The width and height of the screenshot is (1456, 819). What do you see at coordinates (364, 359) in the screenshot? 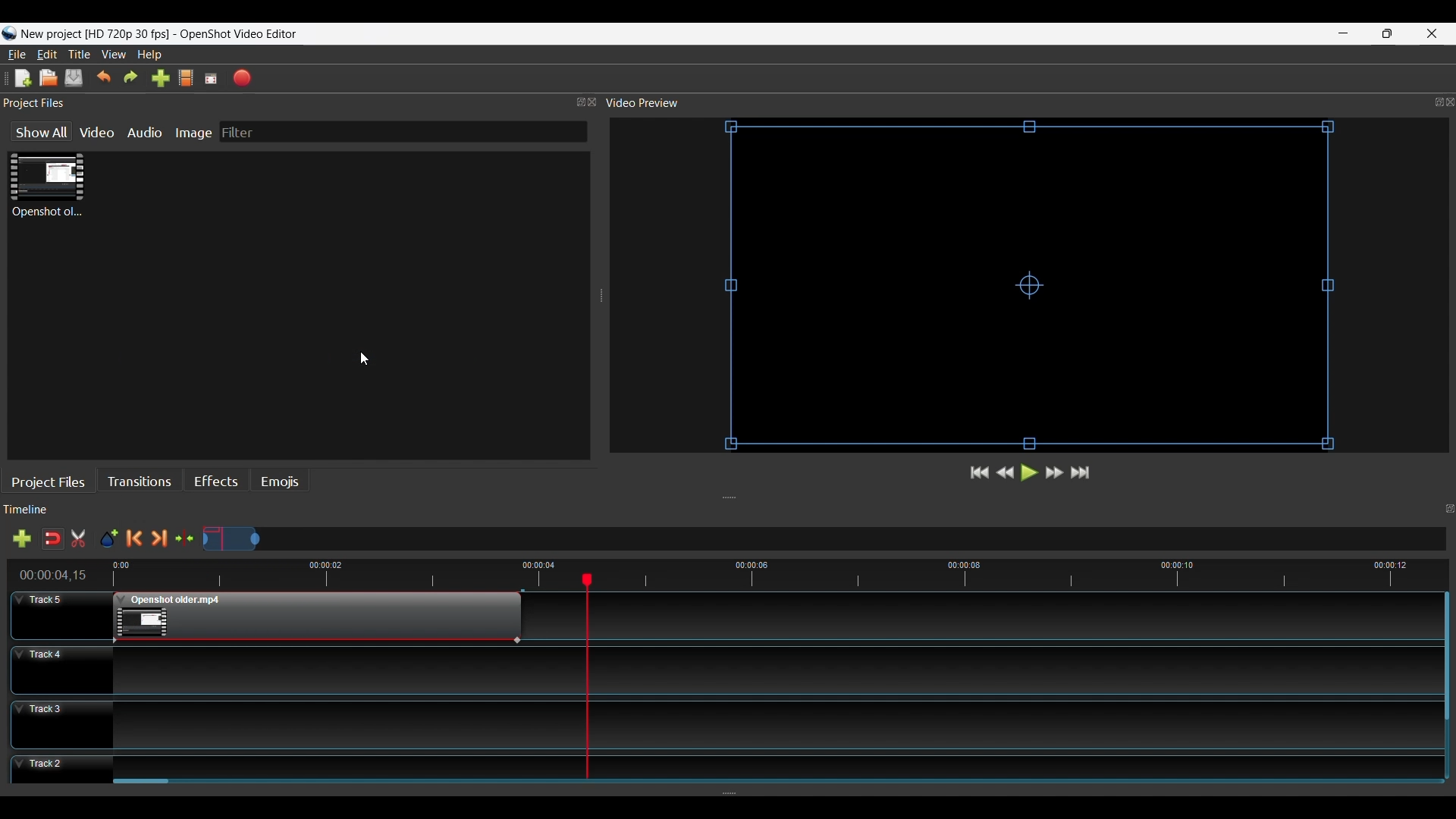
I see `Cursor position unchanged, control+V used to paste copied clip` at bounding box center [364, 359].